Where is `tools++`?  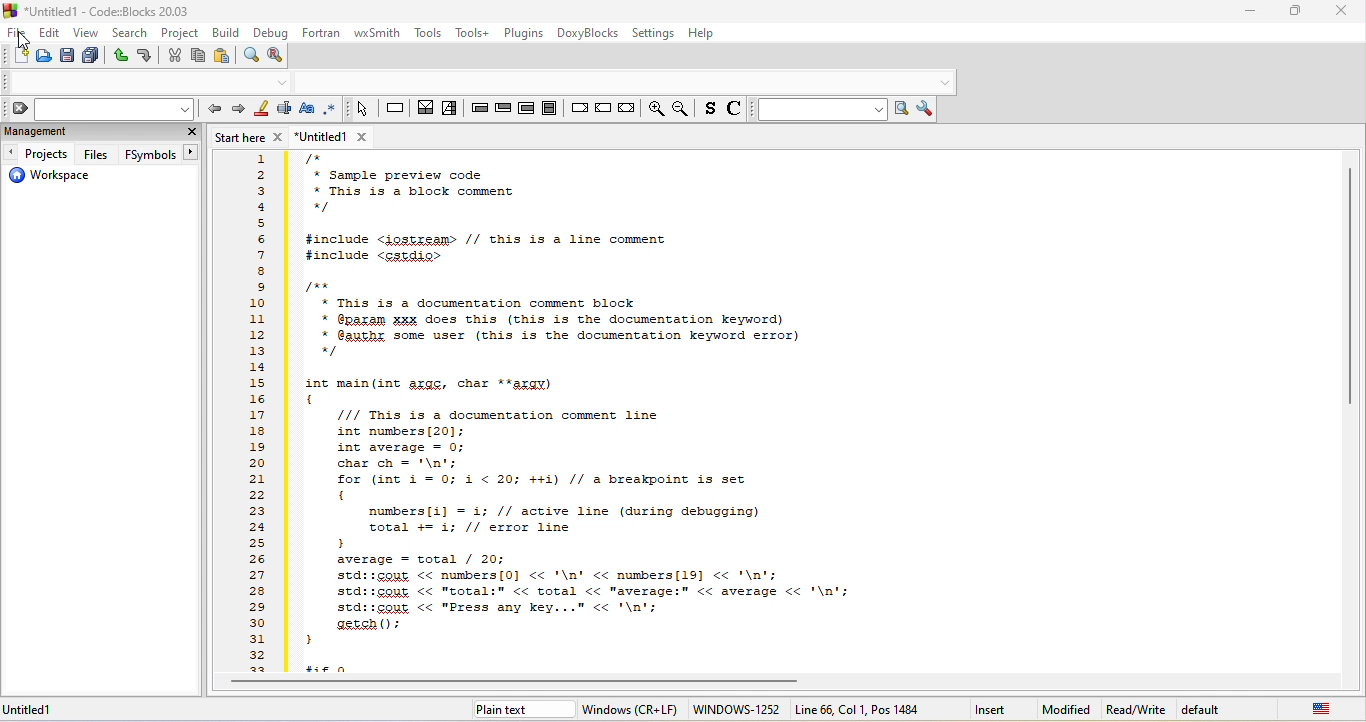
tools++ is located at coordinates (475, 32).